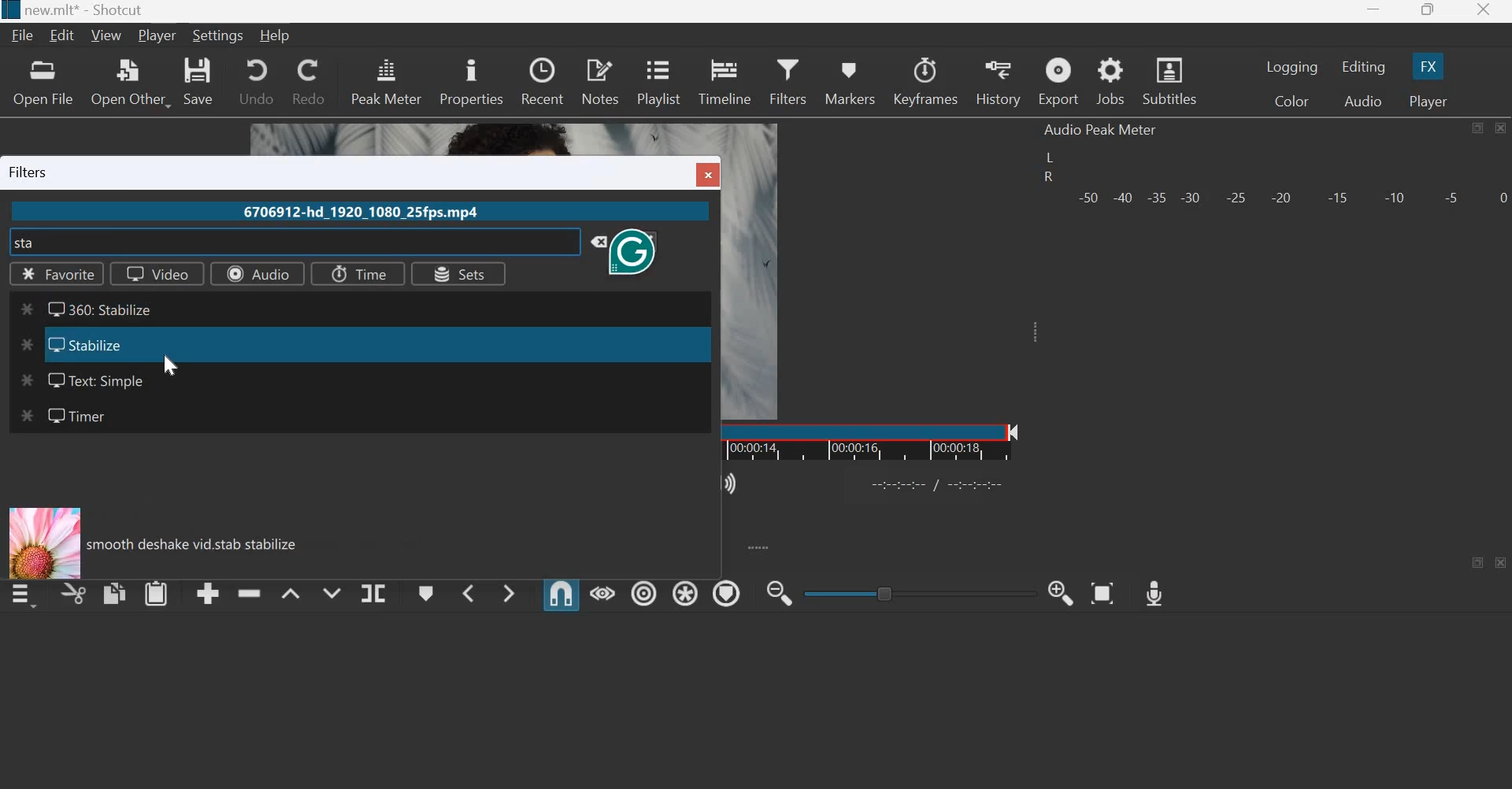 Image resolution: width=1512 pixels, height=789 pixels. I want to click on maximize, so click(1478, 563).